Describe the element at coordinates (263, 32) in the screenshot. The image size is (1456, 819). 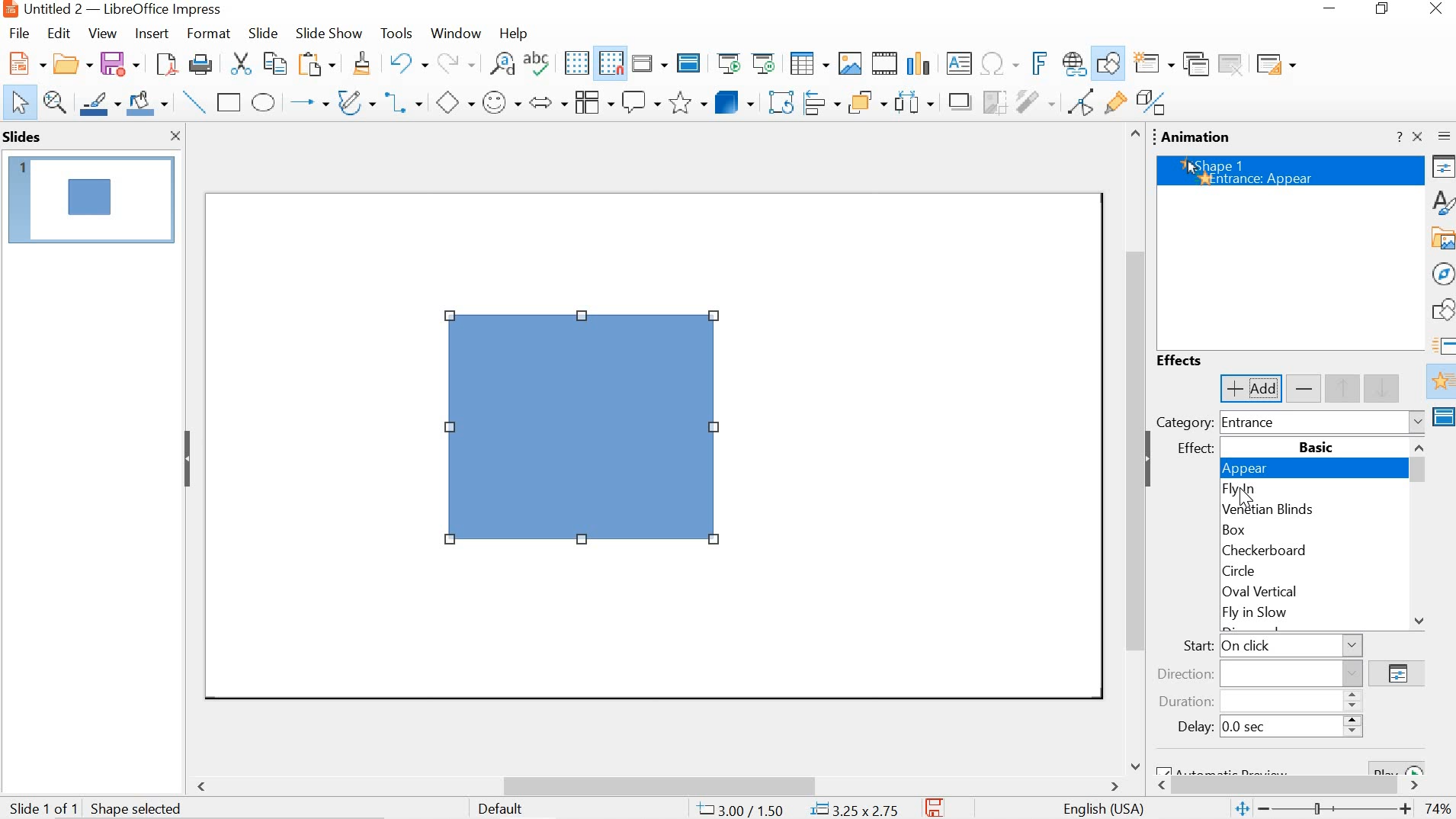
I see `slide` at that location.